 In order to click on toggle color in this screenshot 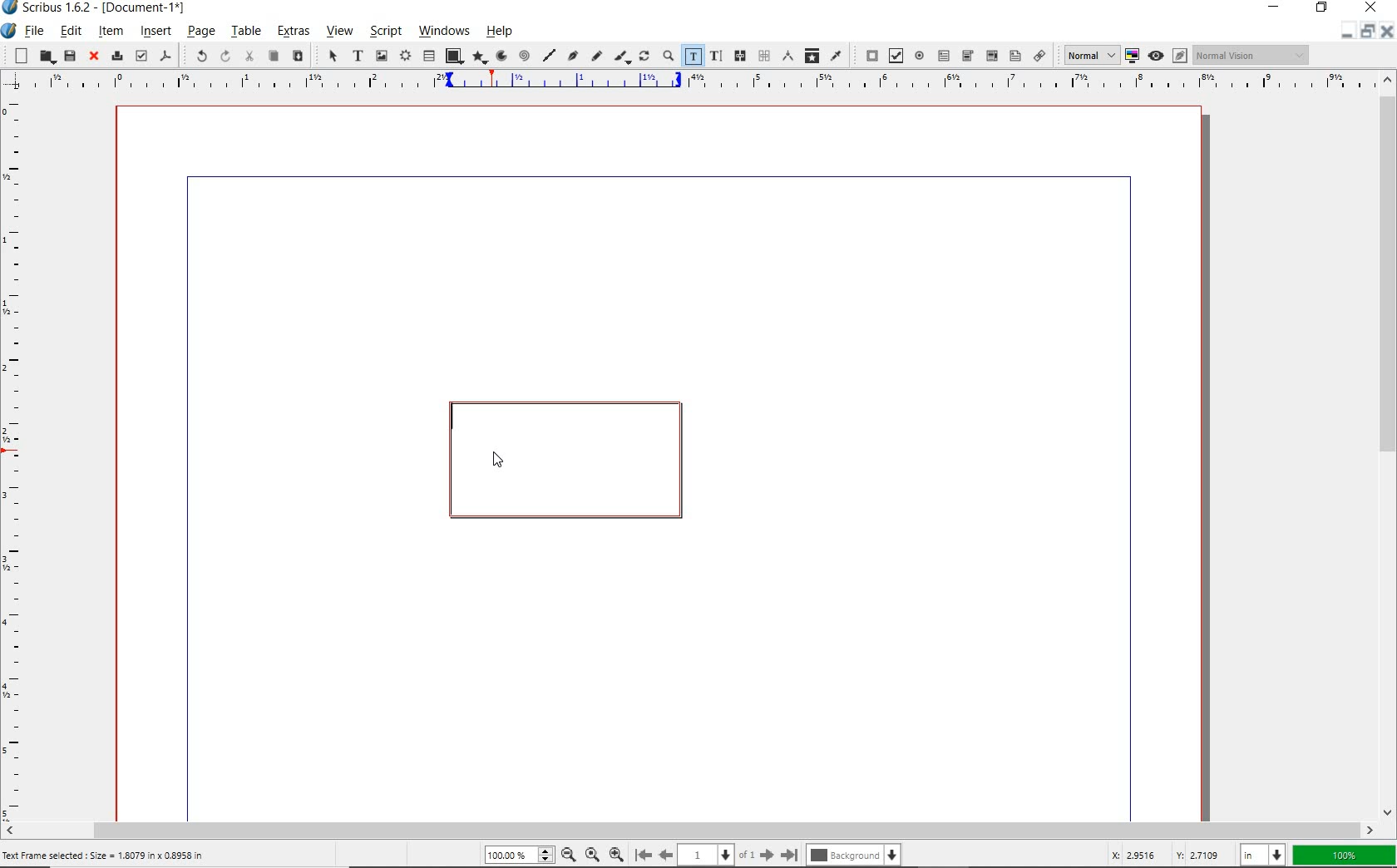, I will do `click(1133, 55)`.